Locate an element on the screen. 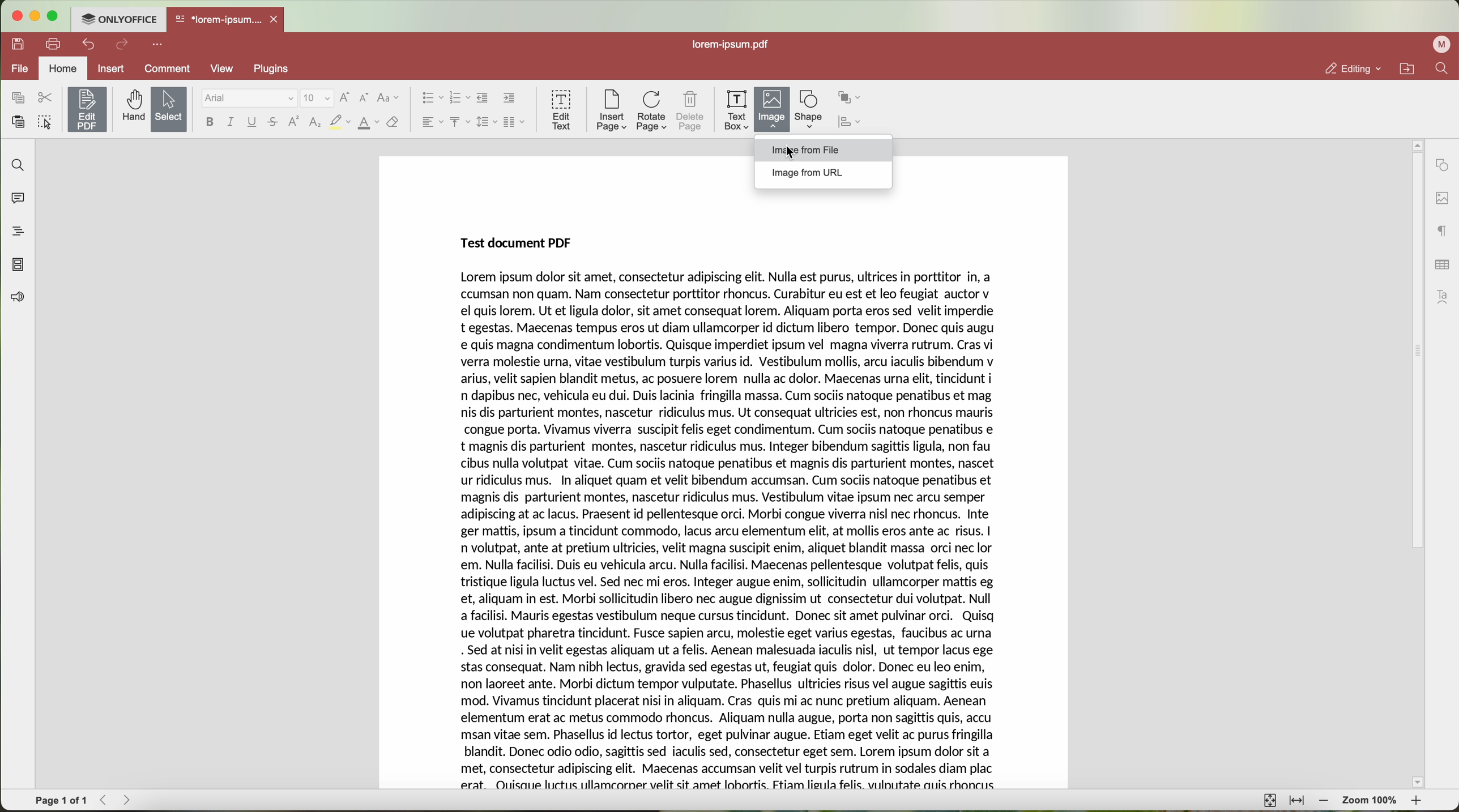 The height and width of the screenshot is (812, 1459). zoom in is located at coordinates (1418, 803).